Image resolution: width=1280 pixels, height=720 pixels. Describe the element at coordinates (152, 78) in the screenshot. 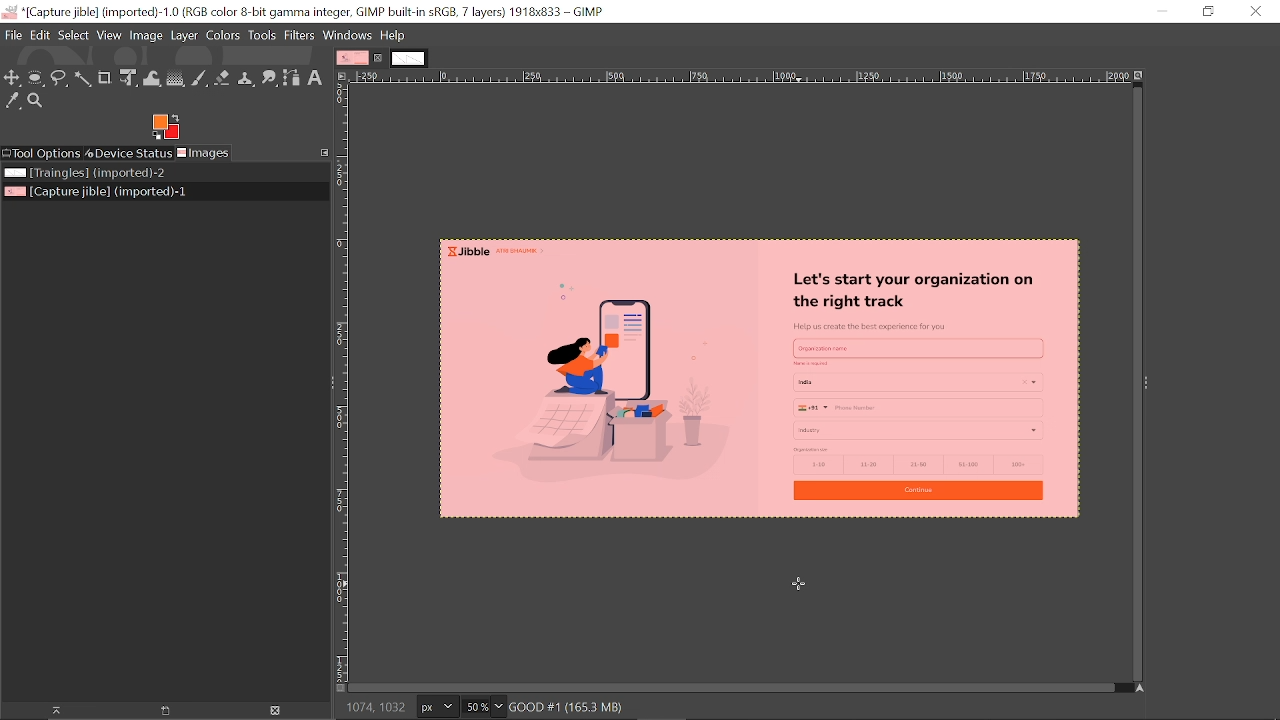

I see `Wrap text tool` at that location.